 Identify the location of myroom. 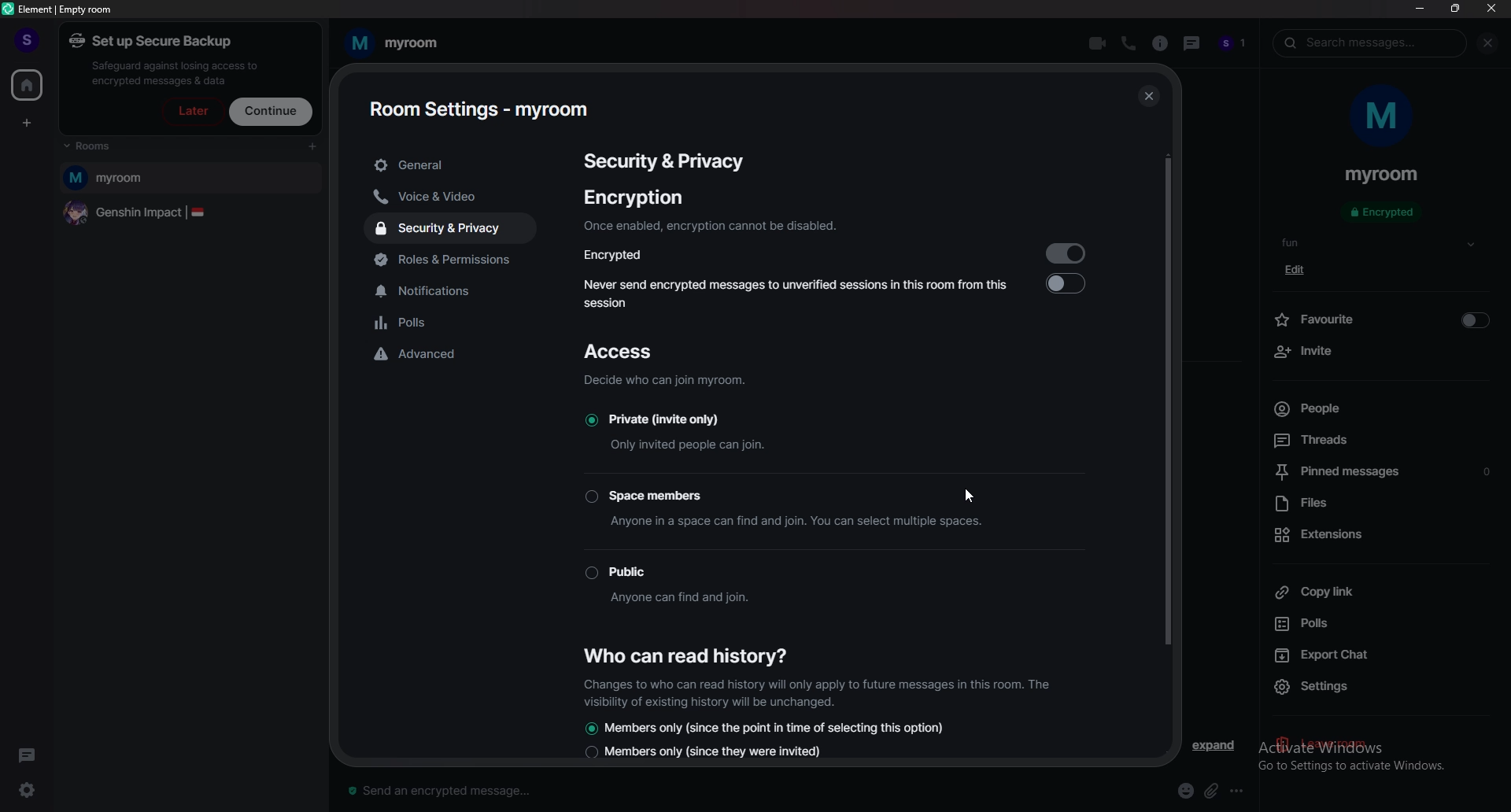
(192, 179).